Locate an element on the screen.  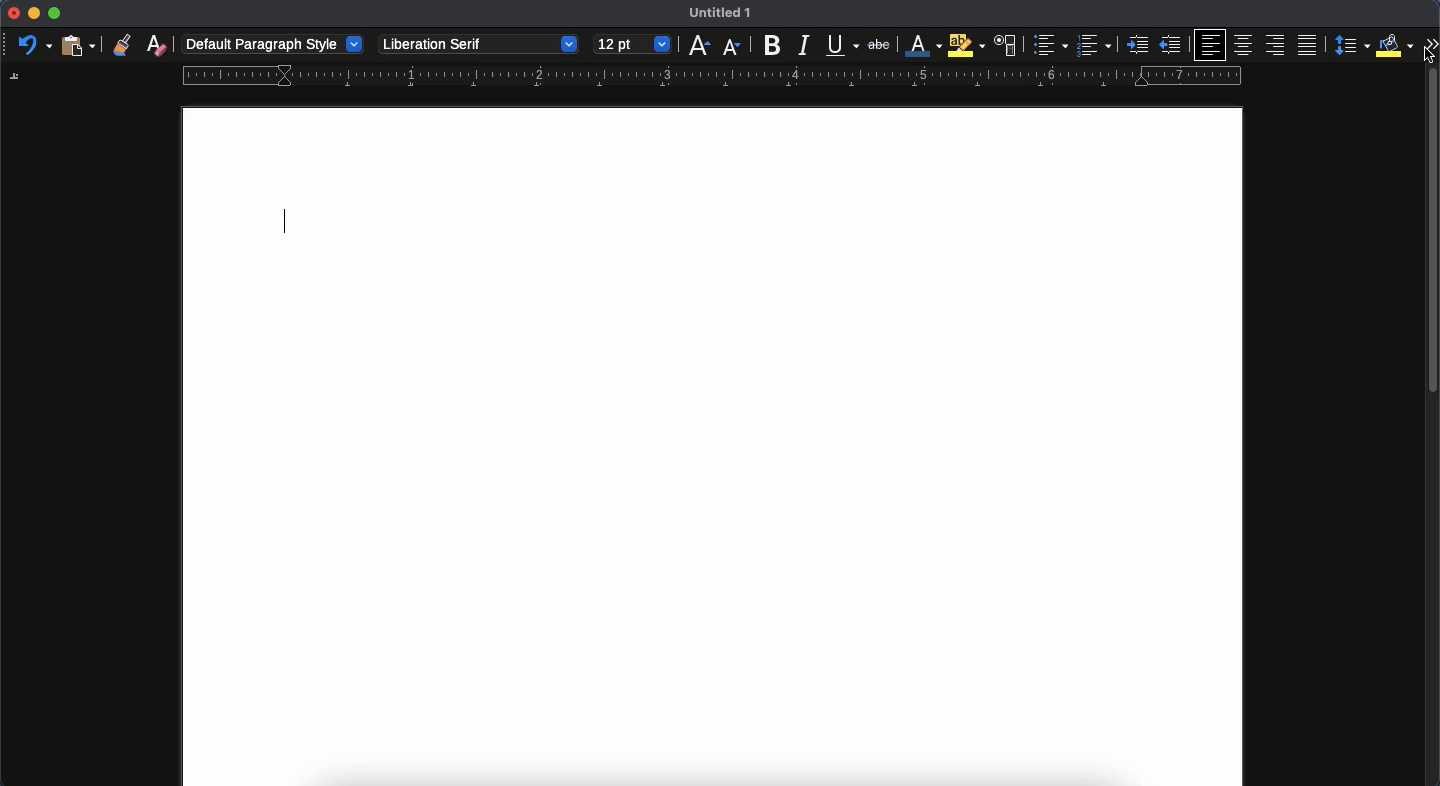
unindented is located at coordinates (1172, 45).